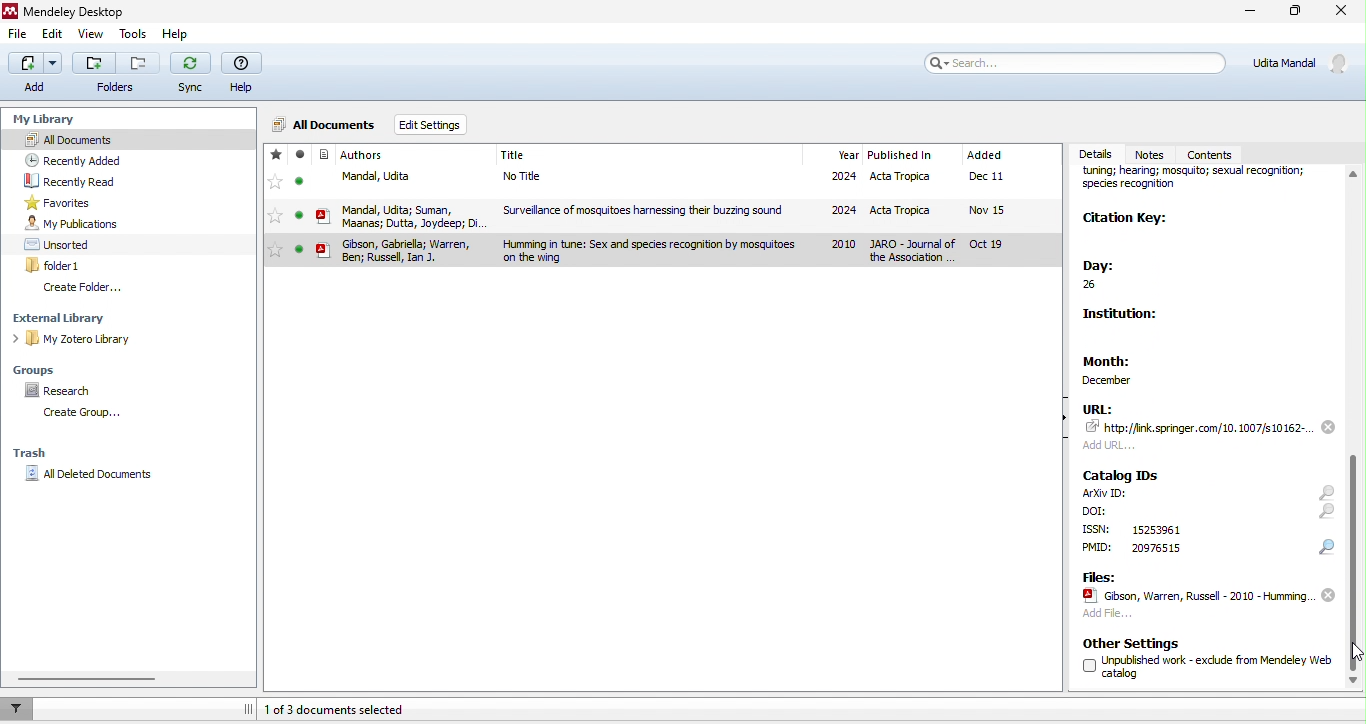 The image size is (1366, 724). What do you see at coordinates (1107, 493) in the screenshot?
I see `text` at bounding box center [1107, 493].